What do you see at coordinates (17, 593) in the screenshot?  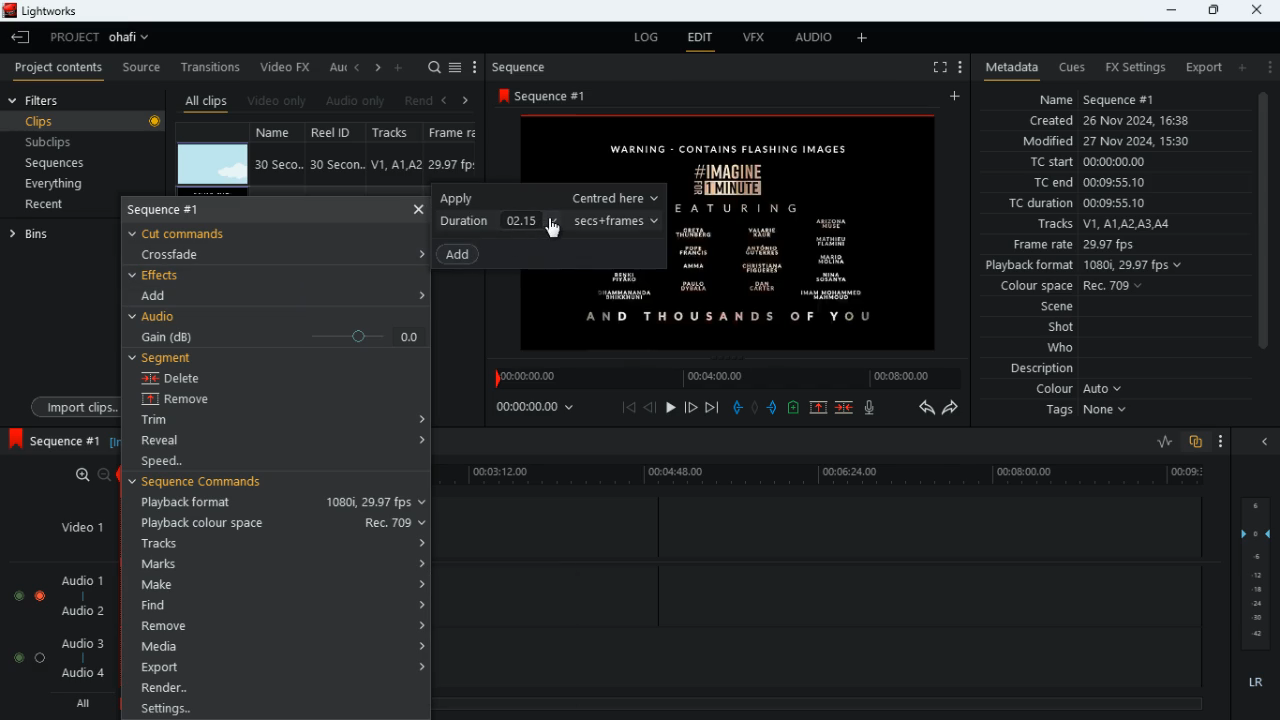 I see `toggle` at bounding box center [17, 593].